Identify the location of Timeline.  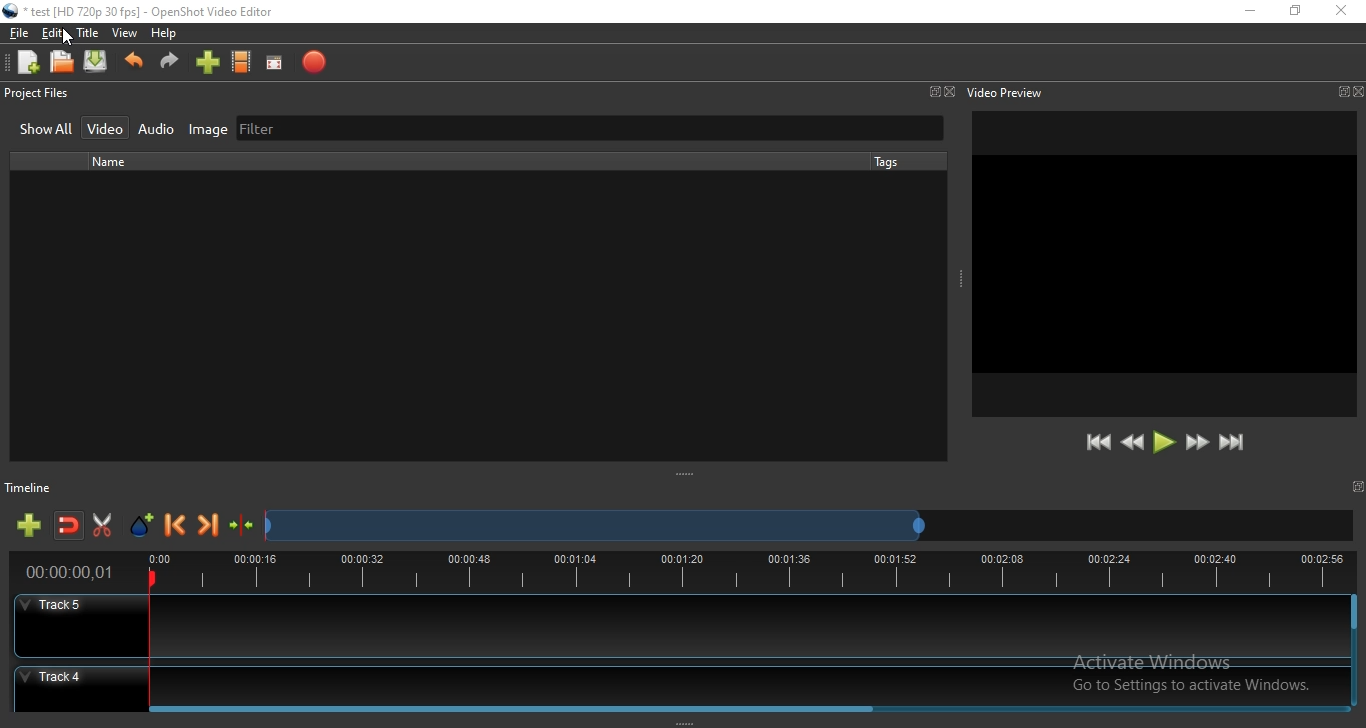
(682, 574).